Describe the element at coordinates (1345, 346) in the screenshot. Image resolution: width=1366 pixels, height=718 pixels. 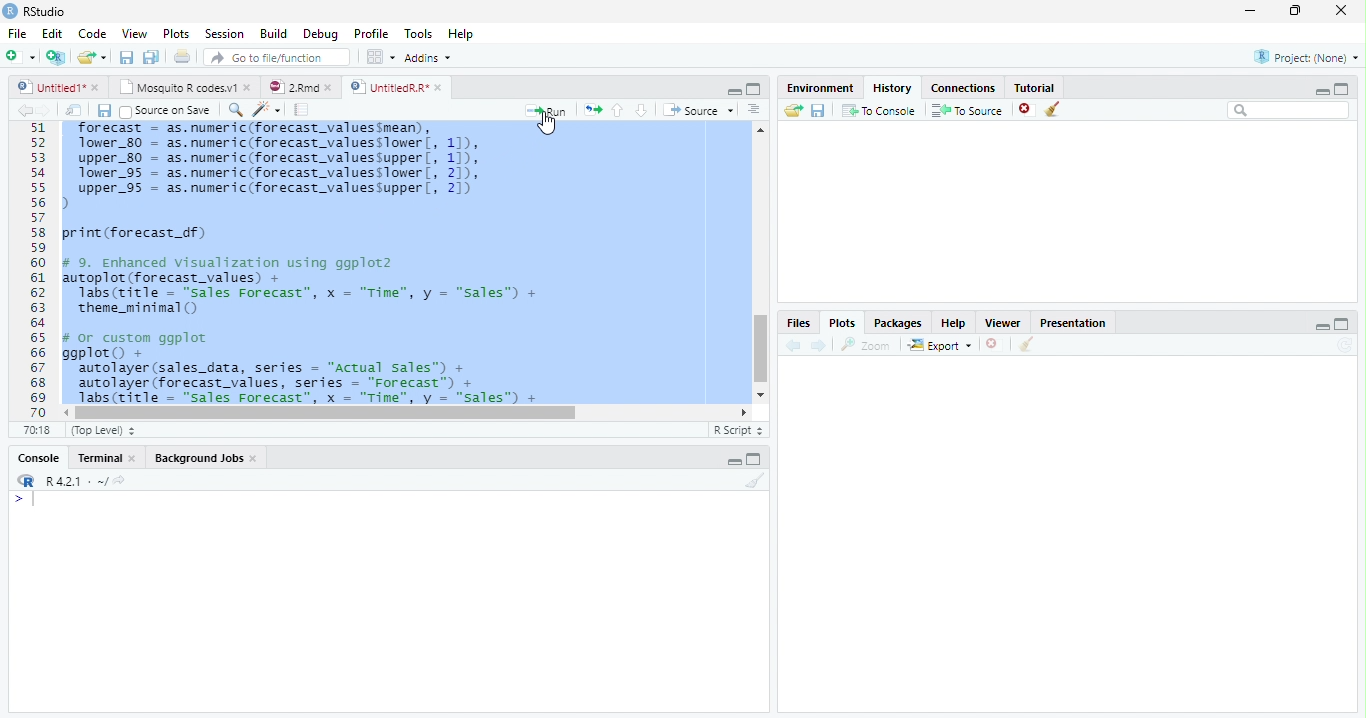
I see `Refresh` at that location.